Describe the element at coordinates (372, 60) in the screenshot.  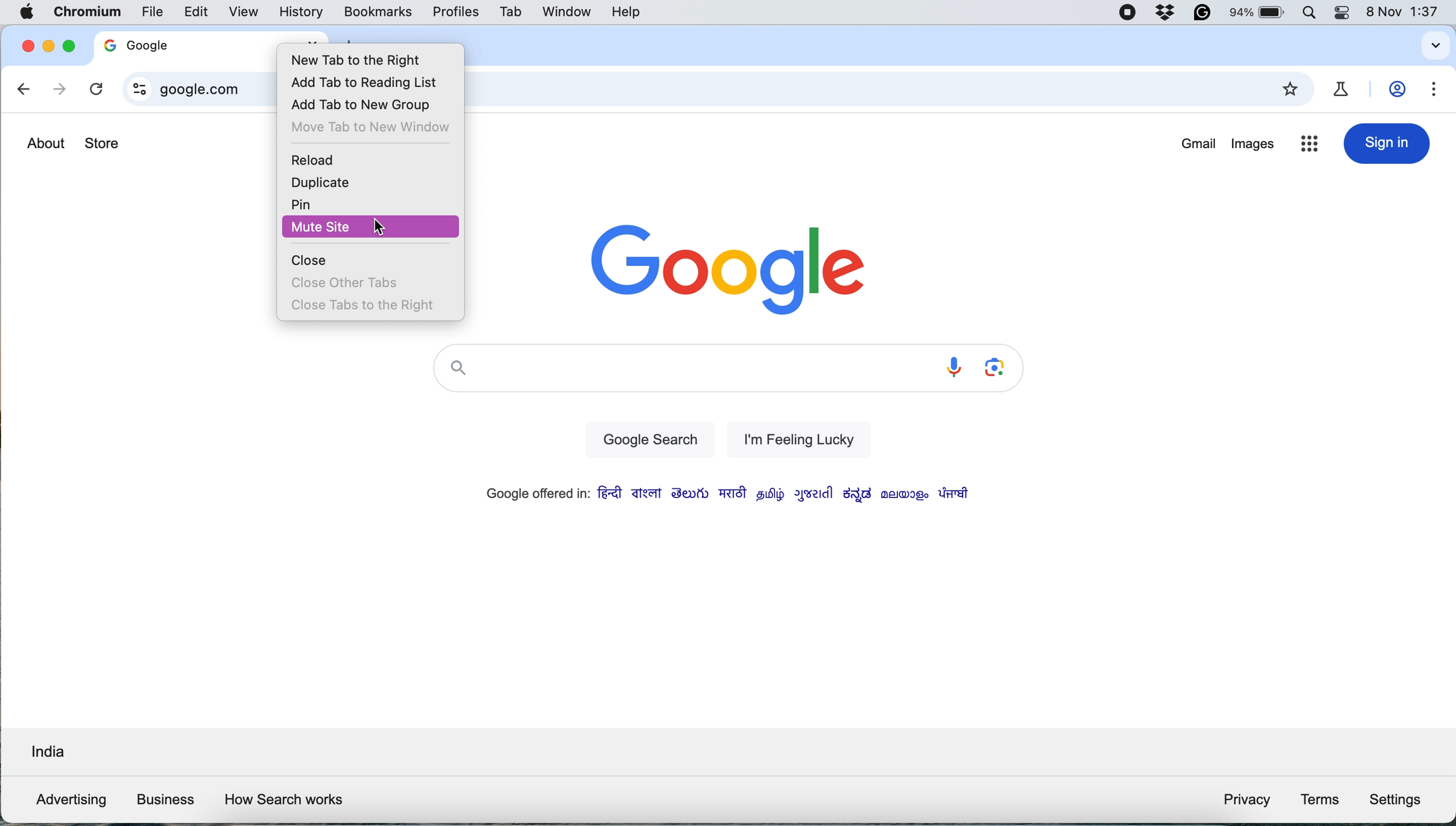
I see `new tab to the right` at that location.